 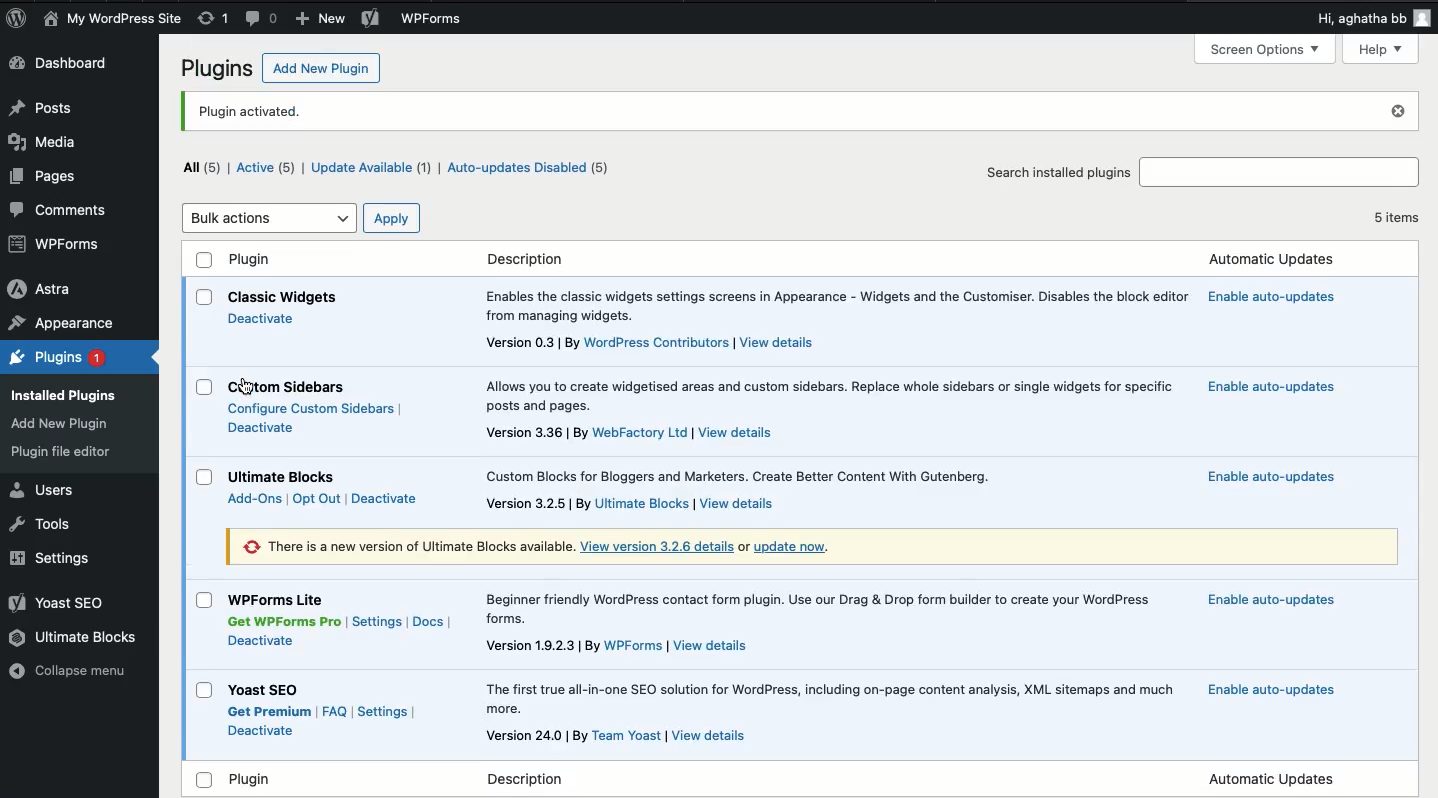 I want to click on Deactivate, so click(x=386, y=499).